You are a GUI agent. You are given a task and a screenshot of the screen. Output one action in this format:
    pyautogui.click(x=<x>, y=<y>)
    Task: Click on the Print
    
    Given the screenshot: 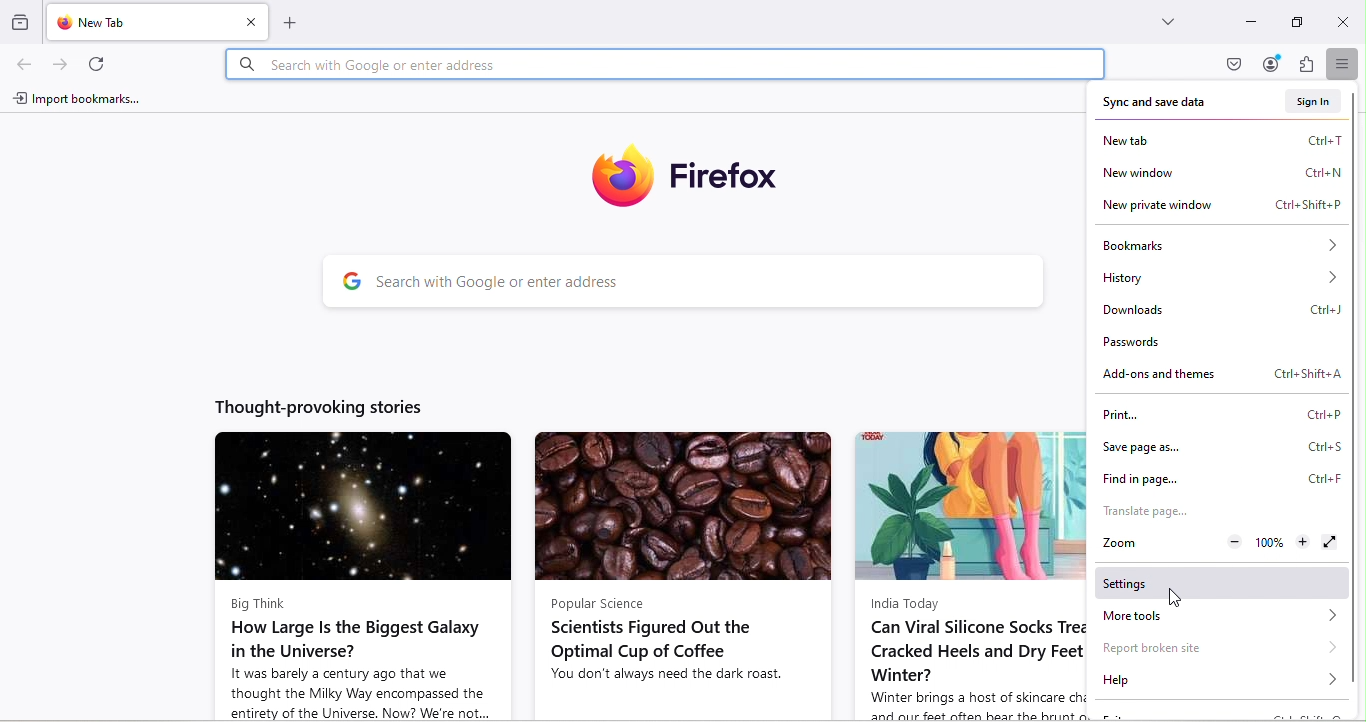 What is the action you would take?
    pyautogui.click(x=1223, y=416)
    